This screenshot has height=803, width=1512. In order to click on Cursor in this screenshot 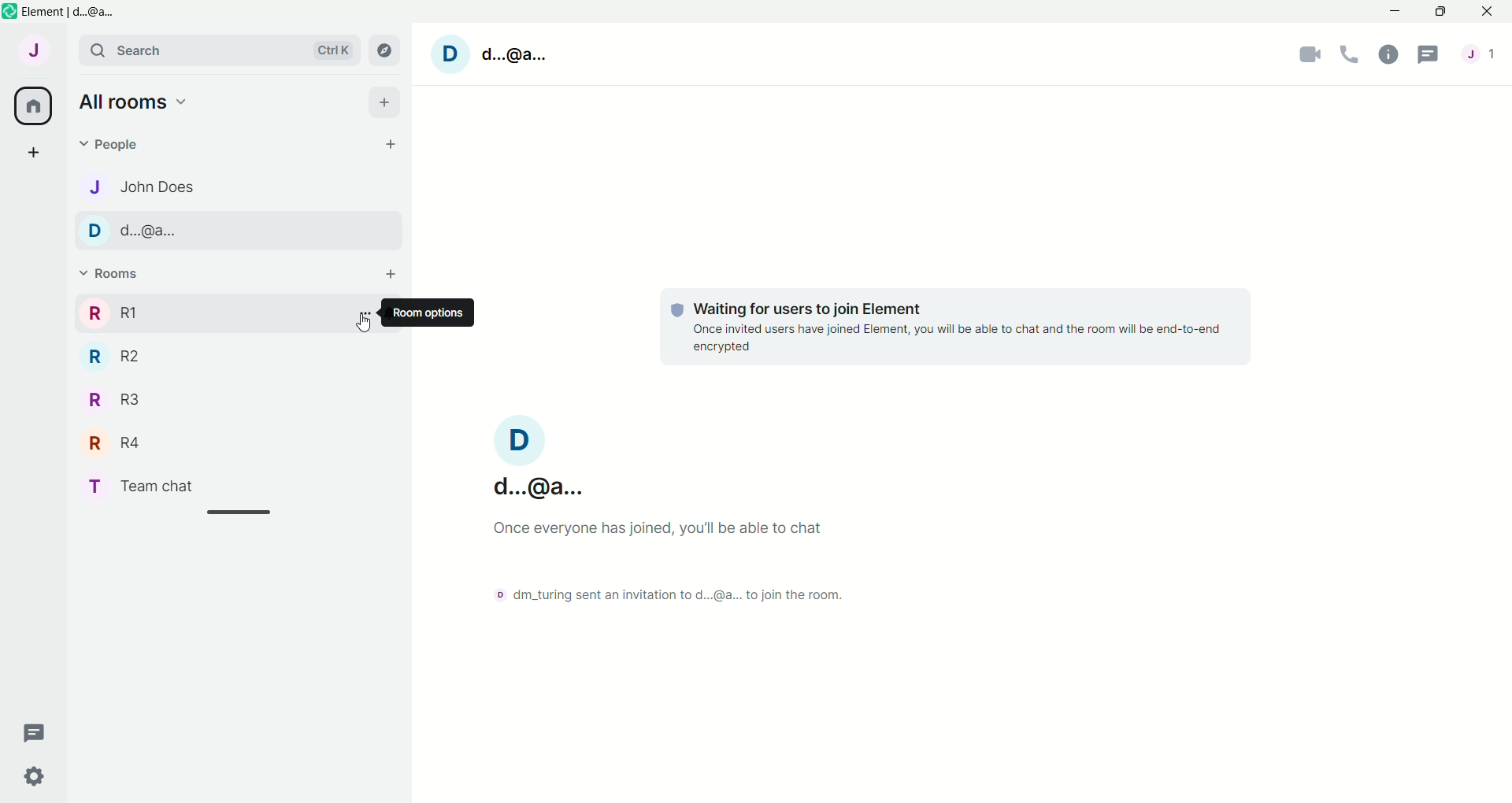, I will do `click(365, 328)`.